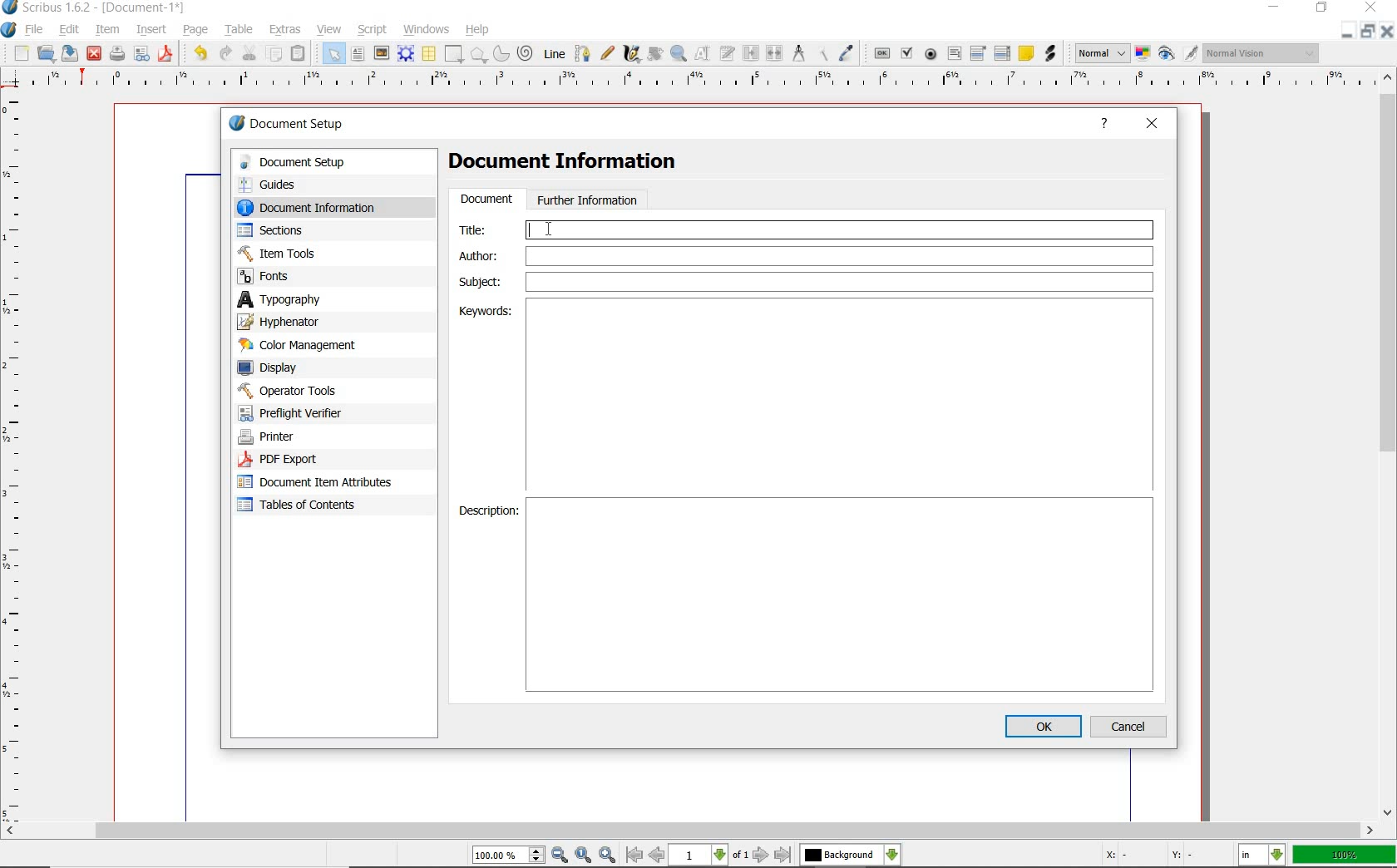  Describe the element at coordinates (1131, 726) in the screenshot. I see `cancel` at that location.